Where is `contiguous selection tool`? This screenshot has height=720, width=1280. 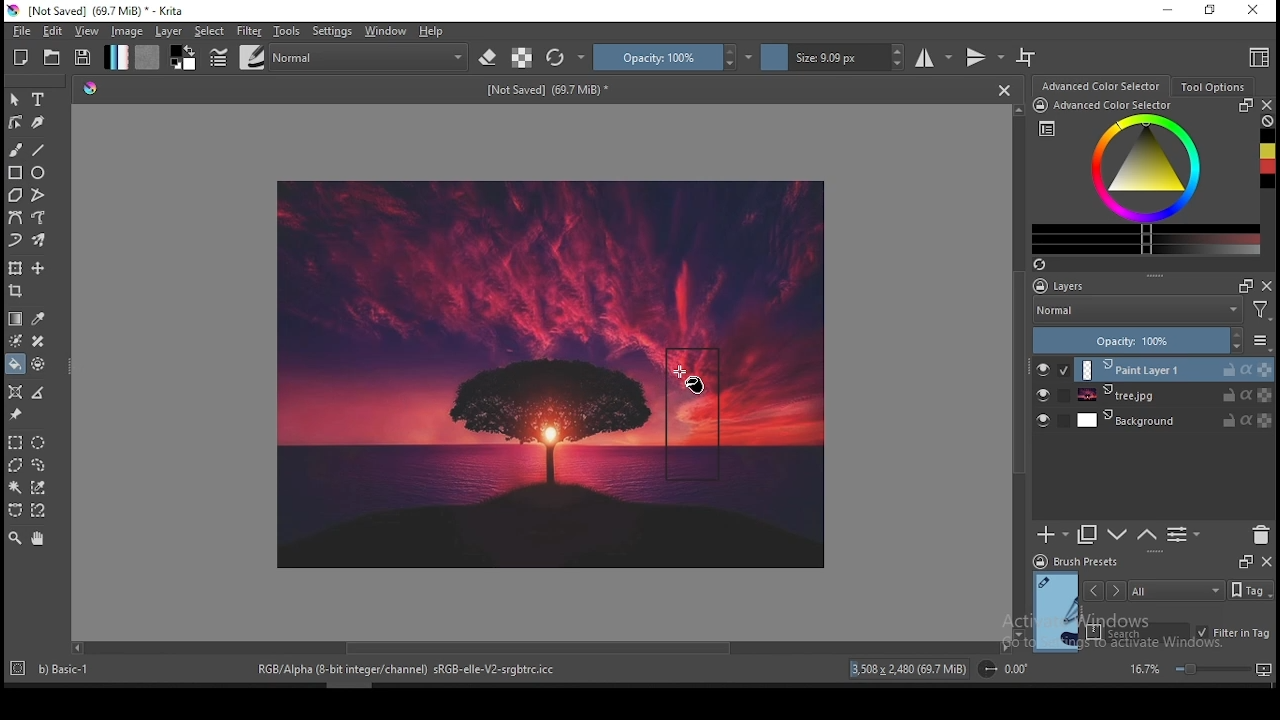 contiguous selection tool is located at coordinates (15, 488).